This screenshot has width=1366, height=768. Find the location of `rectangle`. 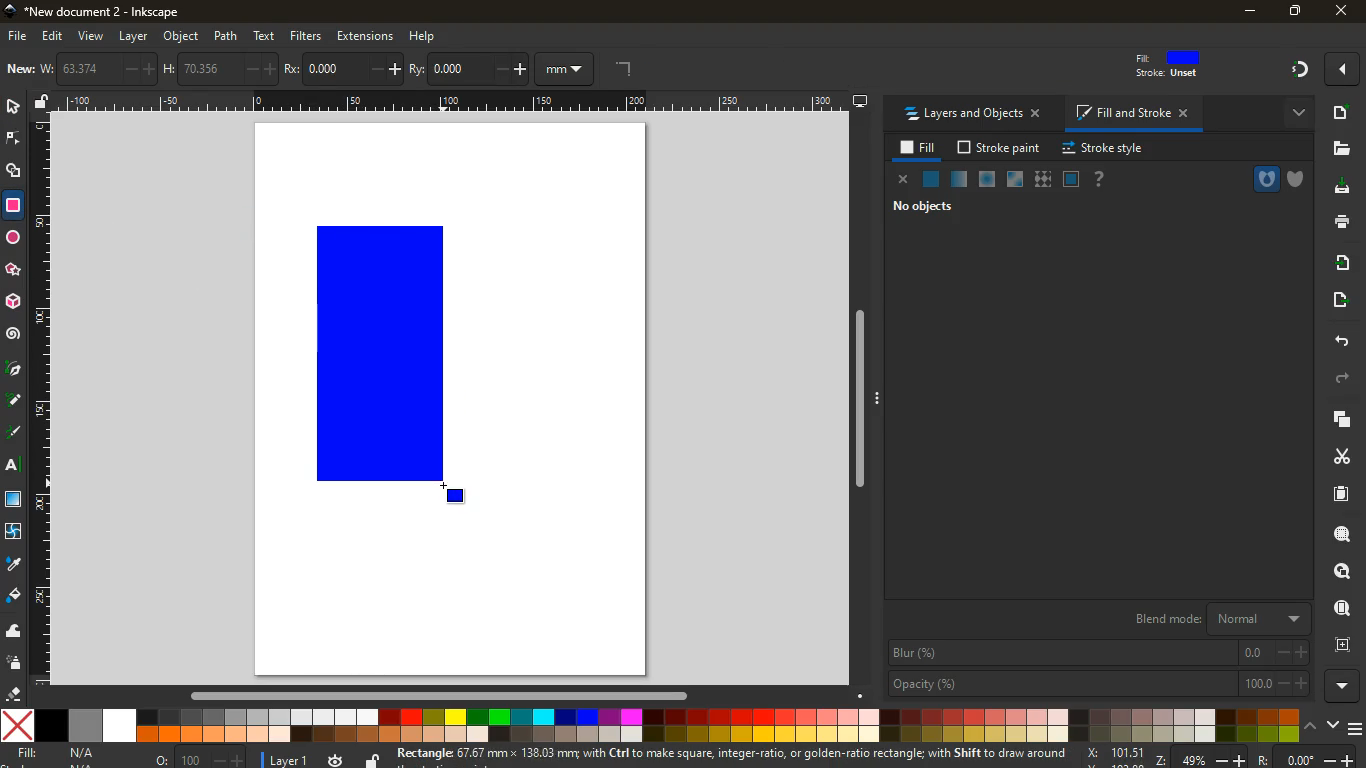

rectangle is located at coordinates (398, 361).